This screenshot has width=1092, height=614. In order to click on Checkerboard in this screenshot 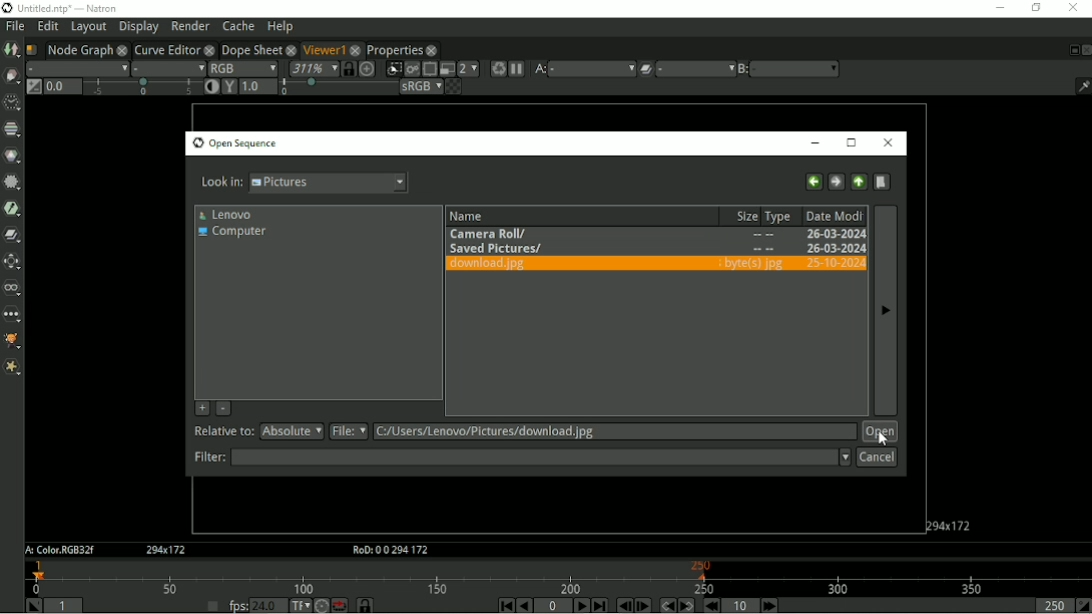, I will do `click(453, 87)`.